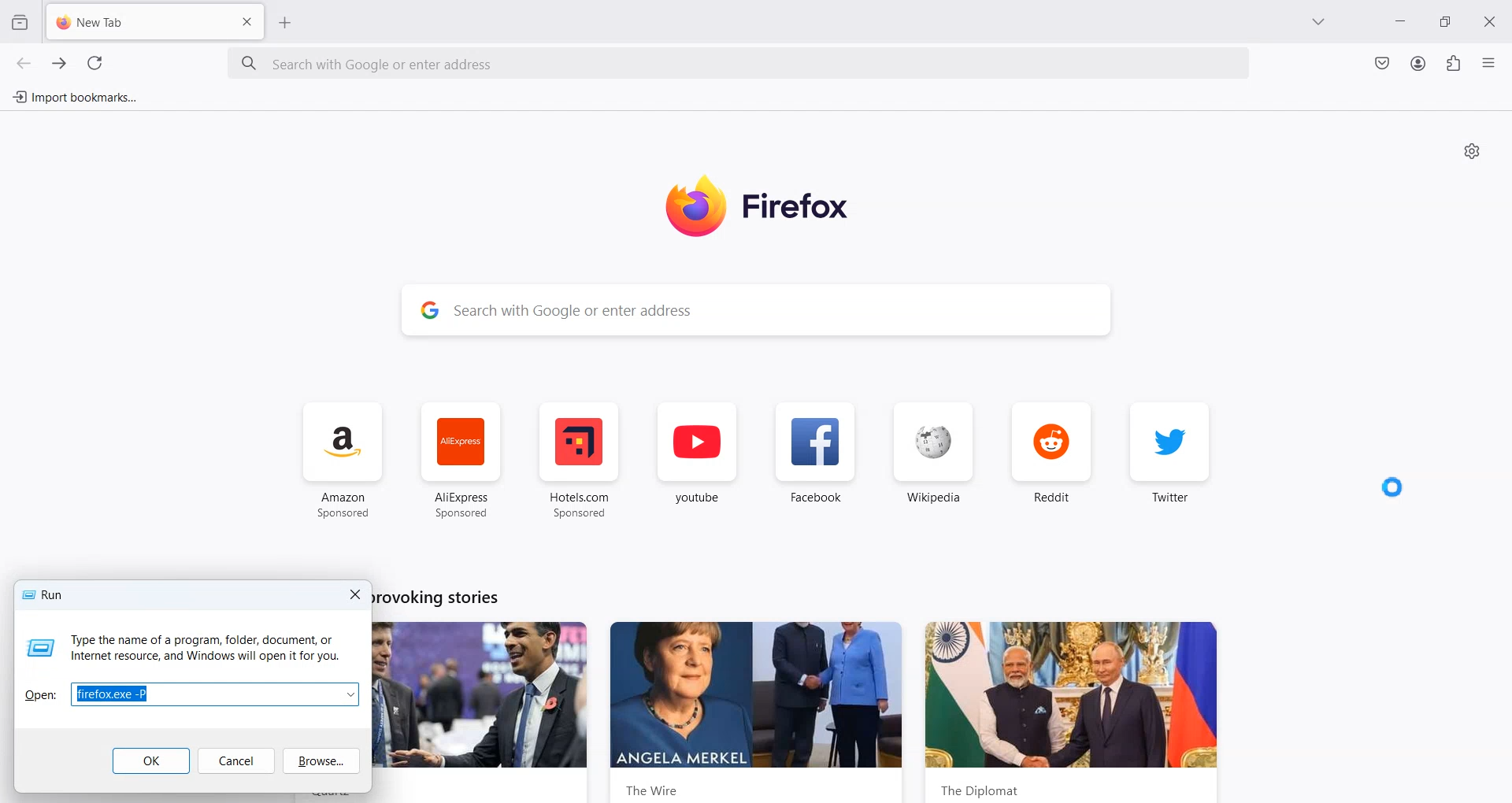 The image size is (1512, 803). I want to click on Logo, so click(760, 209).